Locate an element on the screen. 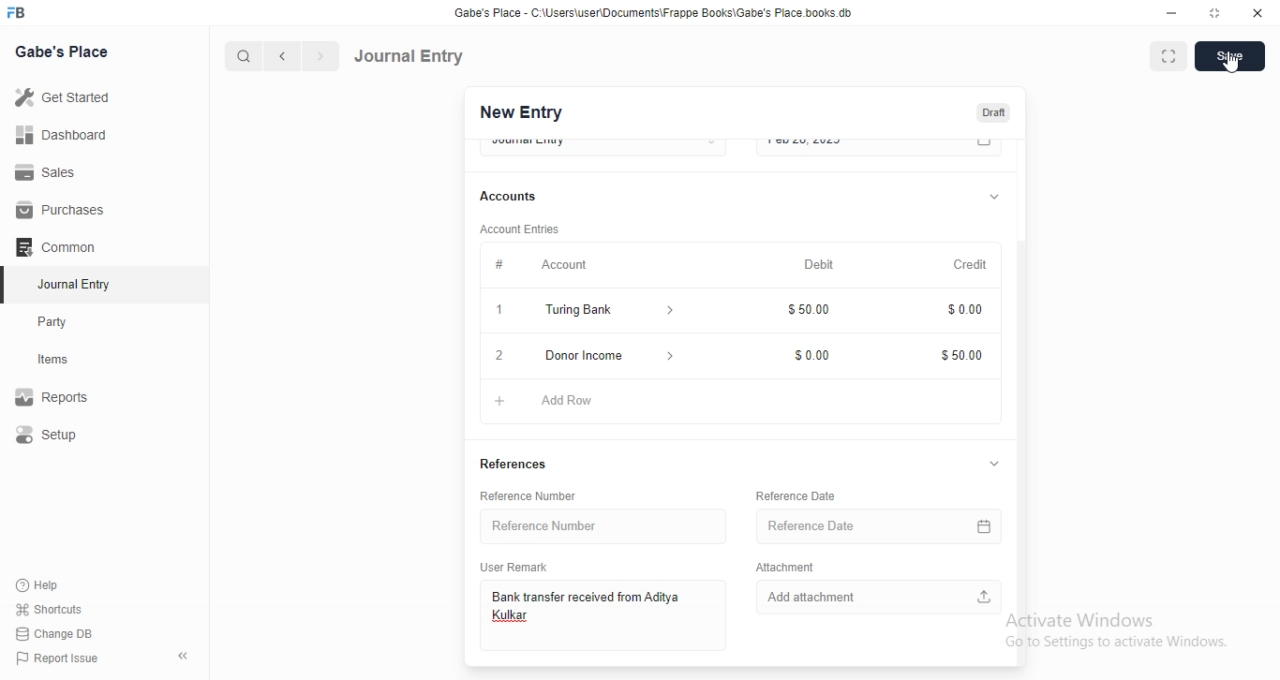 The width and height of the screenshot is (1280, 680). search is located at coordinates (245, 56).